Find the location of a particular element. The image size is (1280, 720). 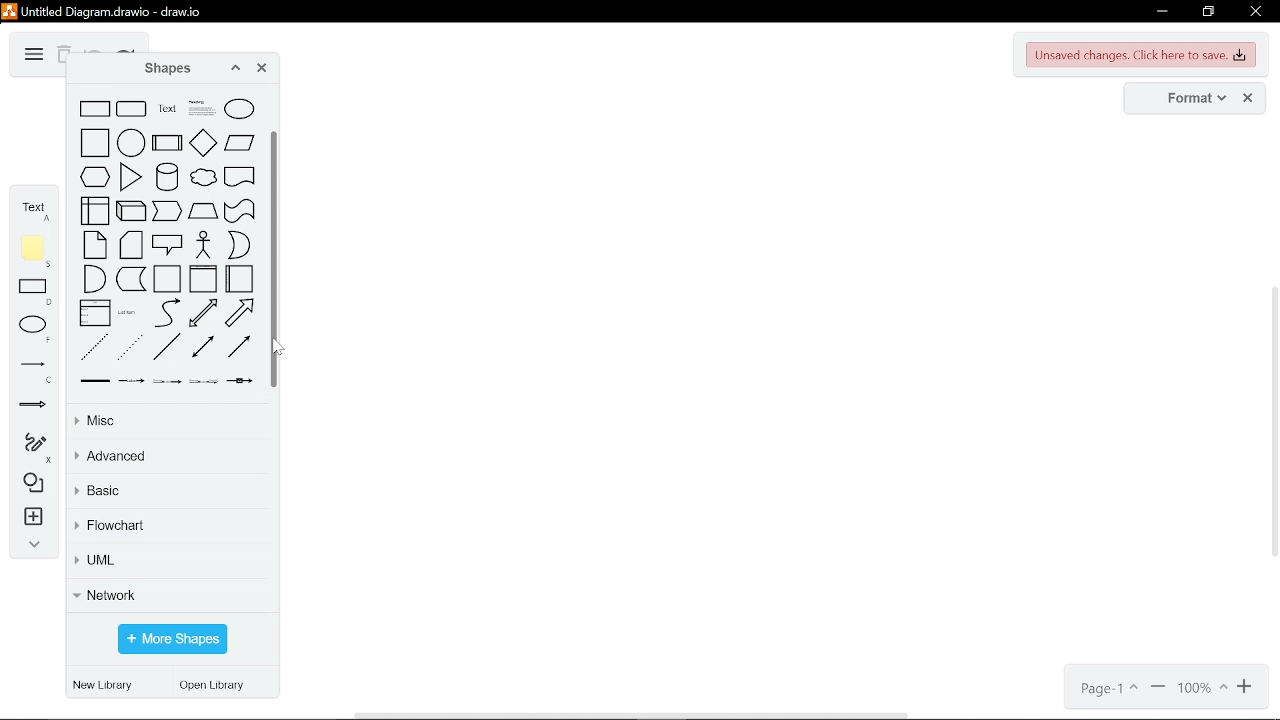

internal storage is located at coordinates (95, 210).